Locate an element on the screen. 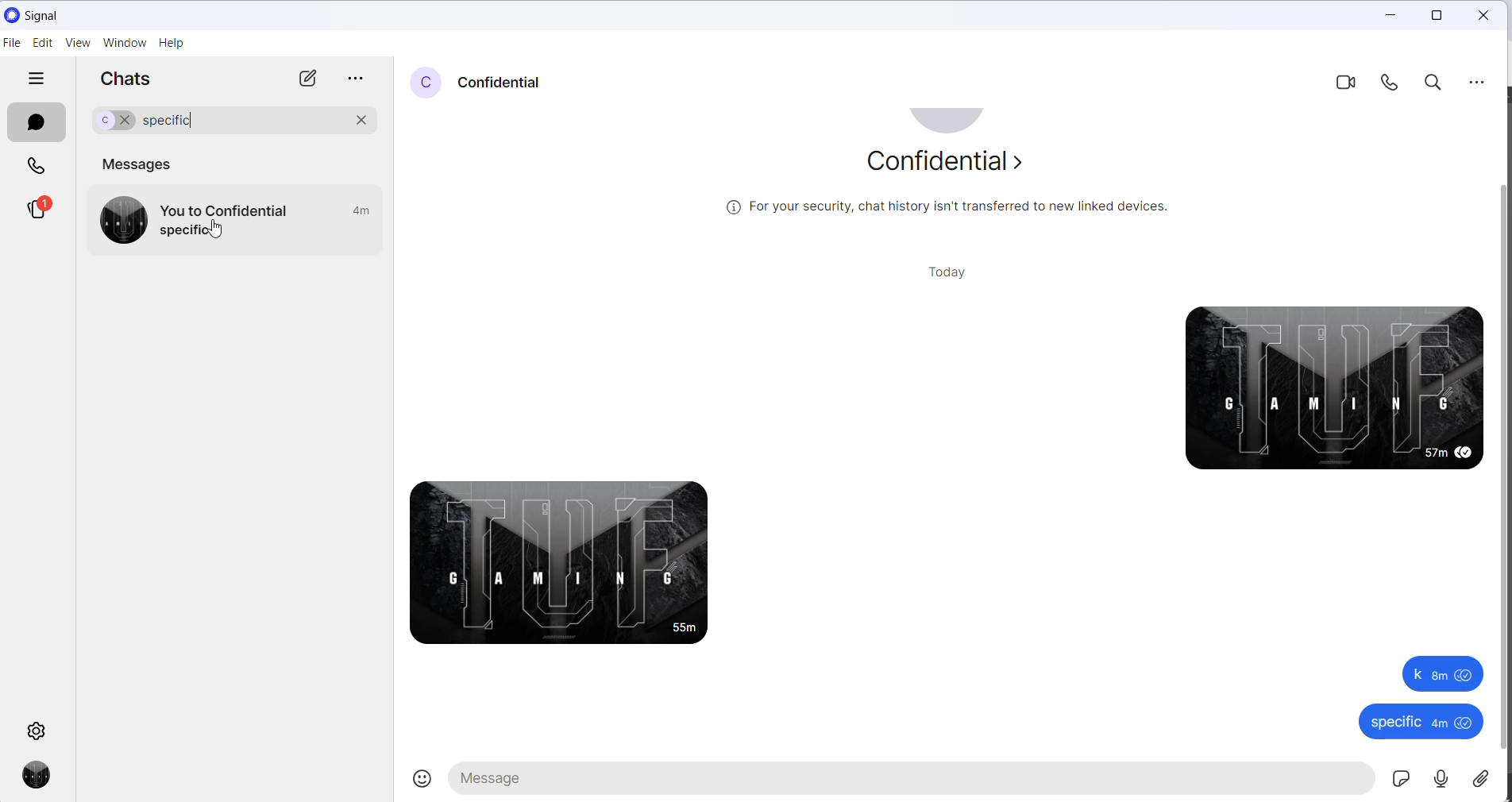 This screenshot has height=802, width=1512. about contact is located at coordinates (947, 165).